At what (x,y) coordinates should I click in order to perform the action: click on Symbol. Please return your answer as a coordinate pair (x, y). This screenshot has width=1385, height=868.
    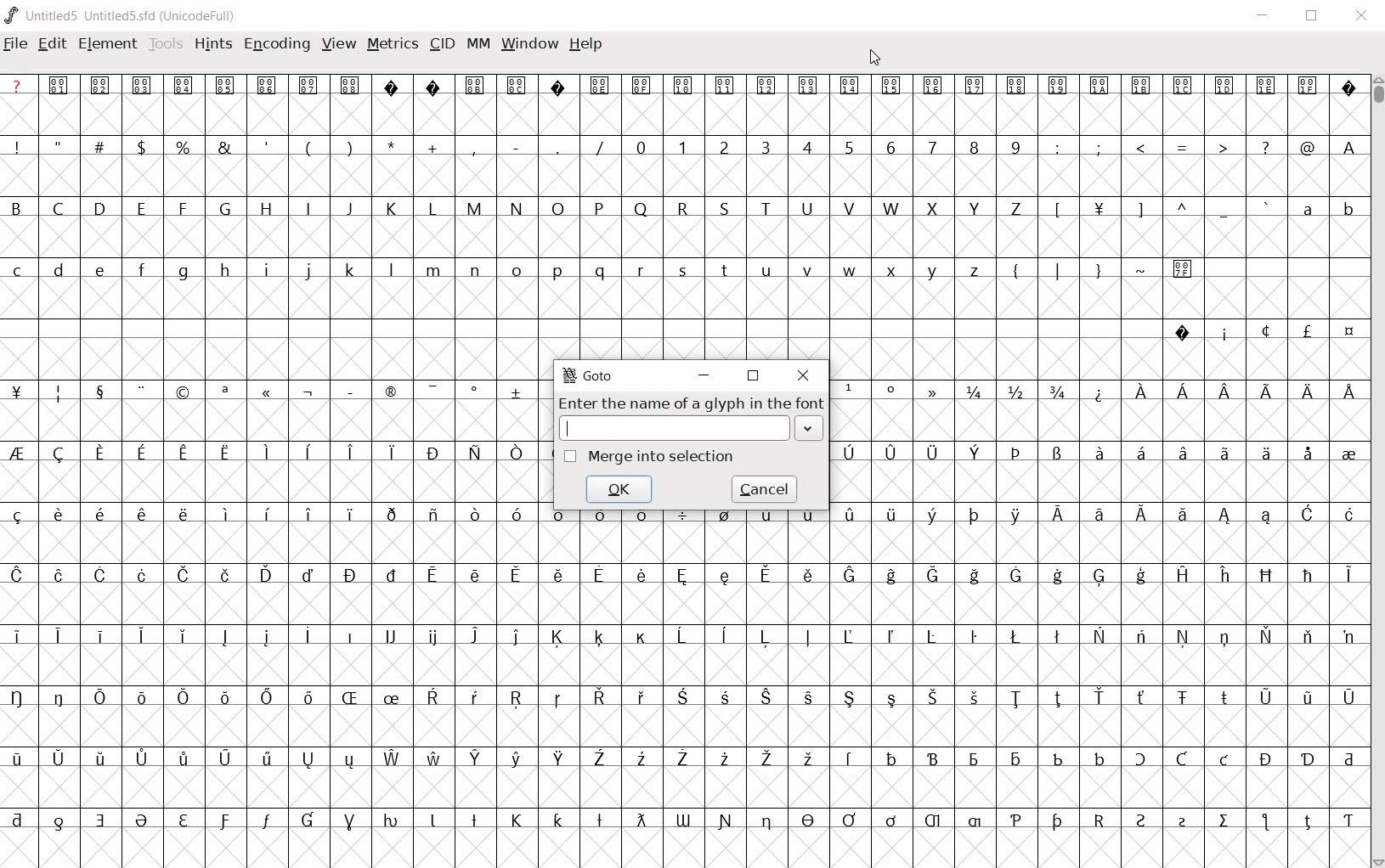
    Looking at the image, I should click on (1264, 331).